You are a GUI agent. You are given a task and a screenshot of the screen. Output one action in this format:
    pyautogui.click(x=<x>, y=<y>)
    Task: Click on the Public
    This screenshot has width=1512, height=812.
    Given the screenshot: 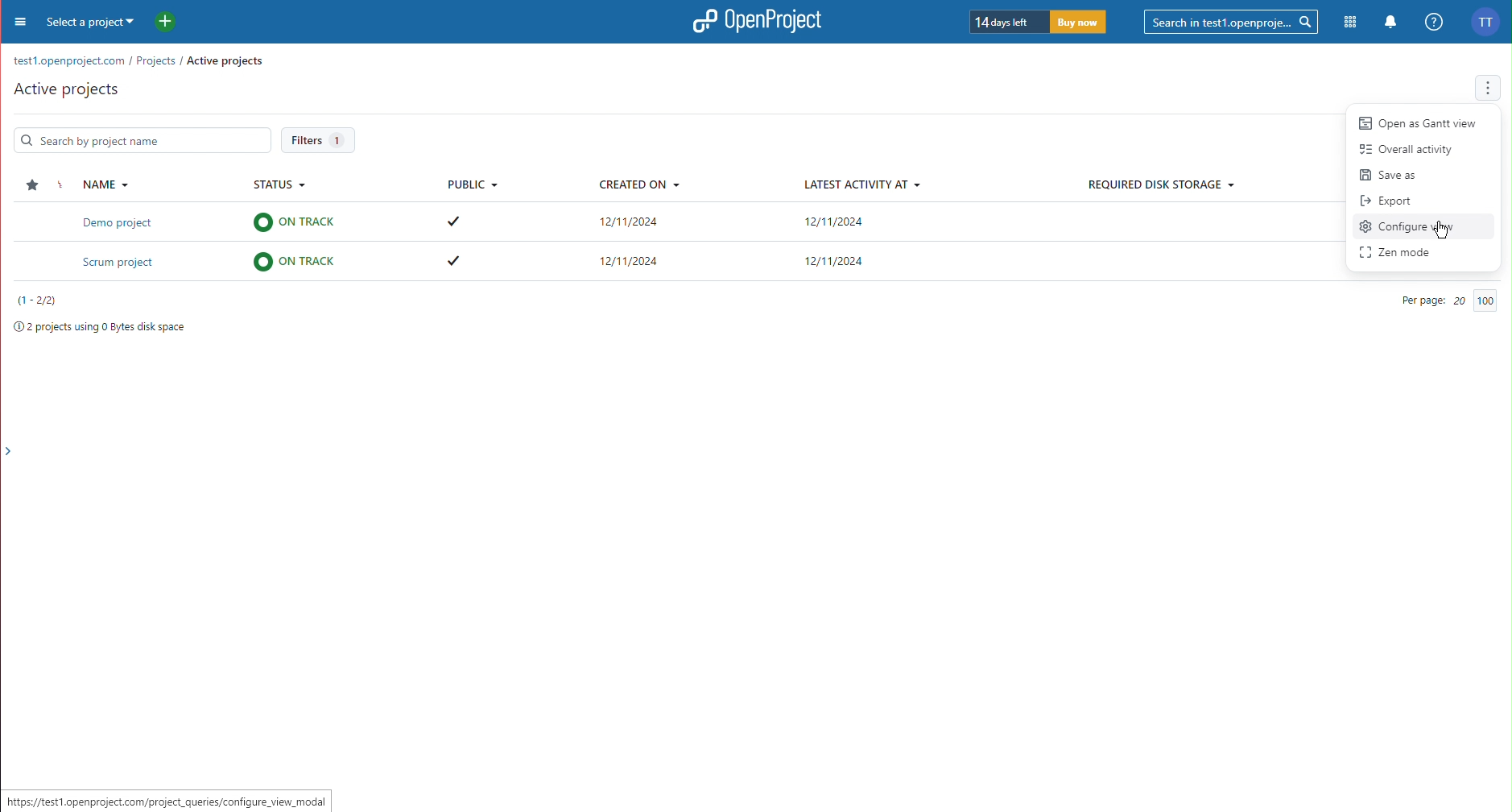 What is the action you would take?
    pyautogui.click(x=466, y=185)
    